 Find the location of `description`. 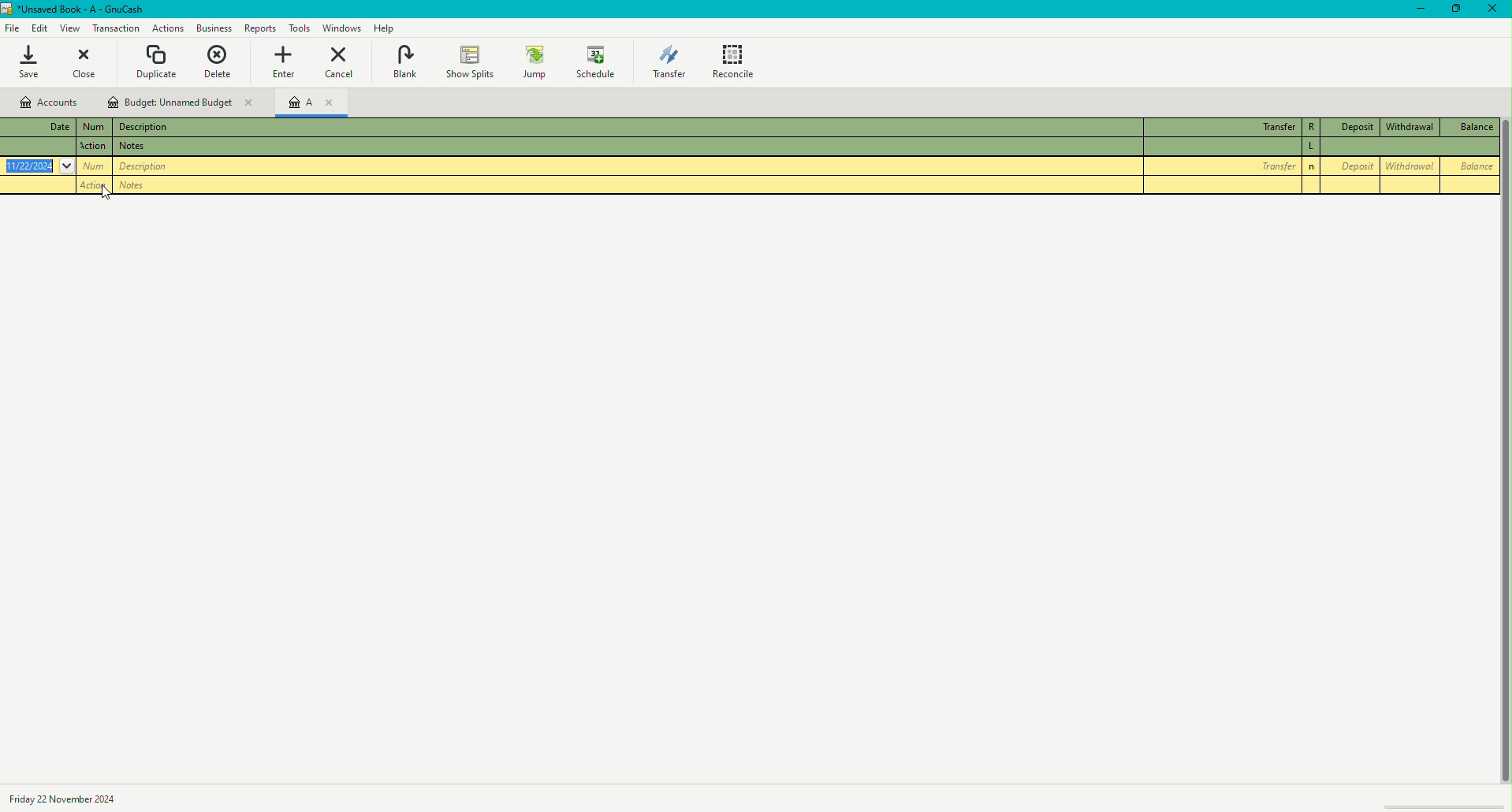

description is located at coordinates (145, 147).